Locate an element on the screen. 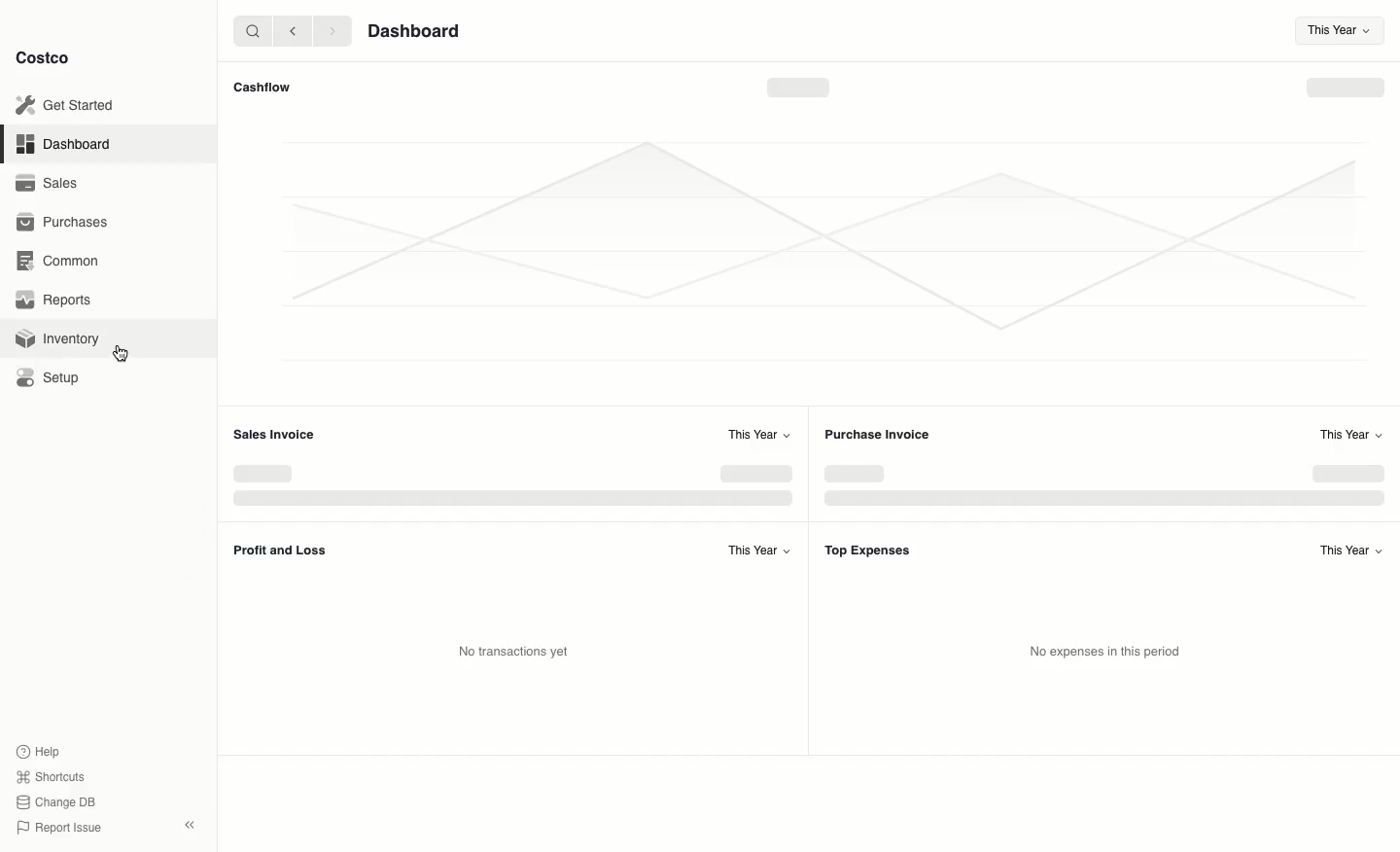 This screenshot has width=1400, height=852. Dashboard is located at coordinates (415, 31).